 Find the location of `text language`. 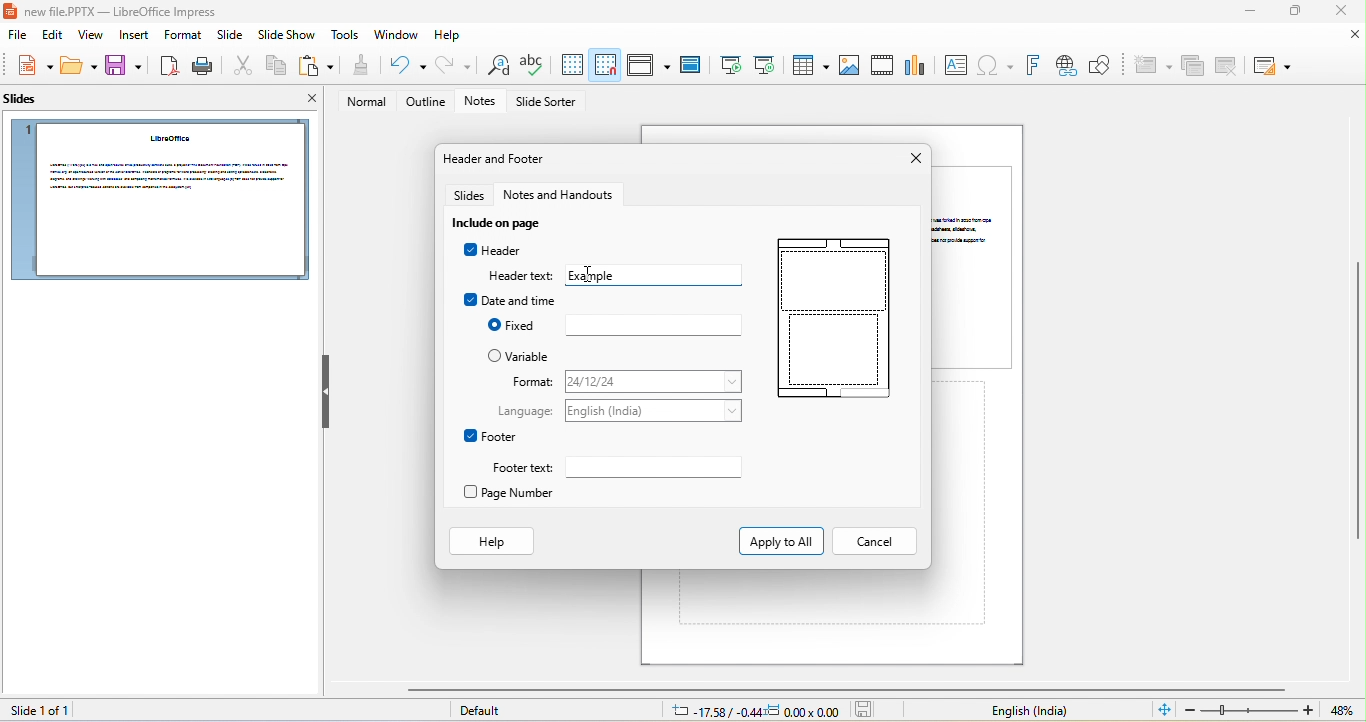

text language is located at coordinates (1029, 711).